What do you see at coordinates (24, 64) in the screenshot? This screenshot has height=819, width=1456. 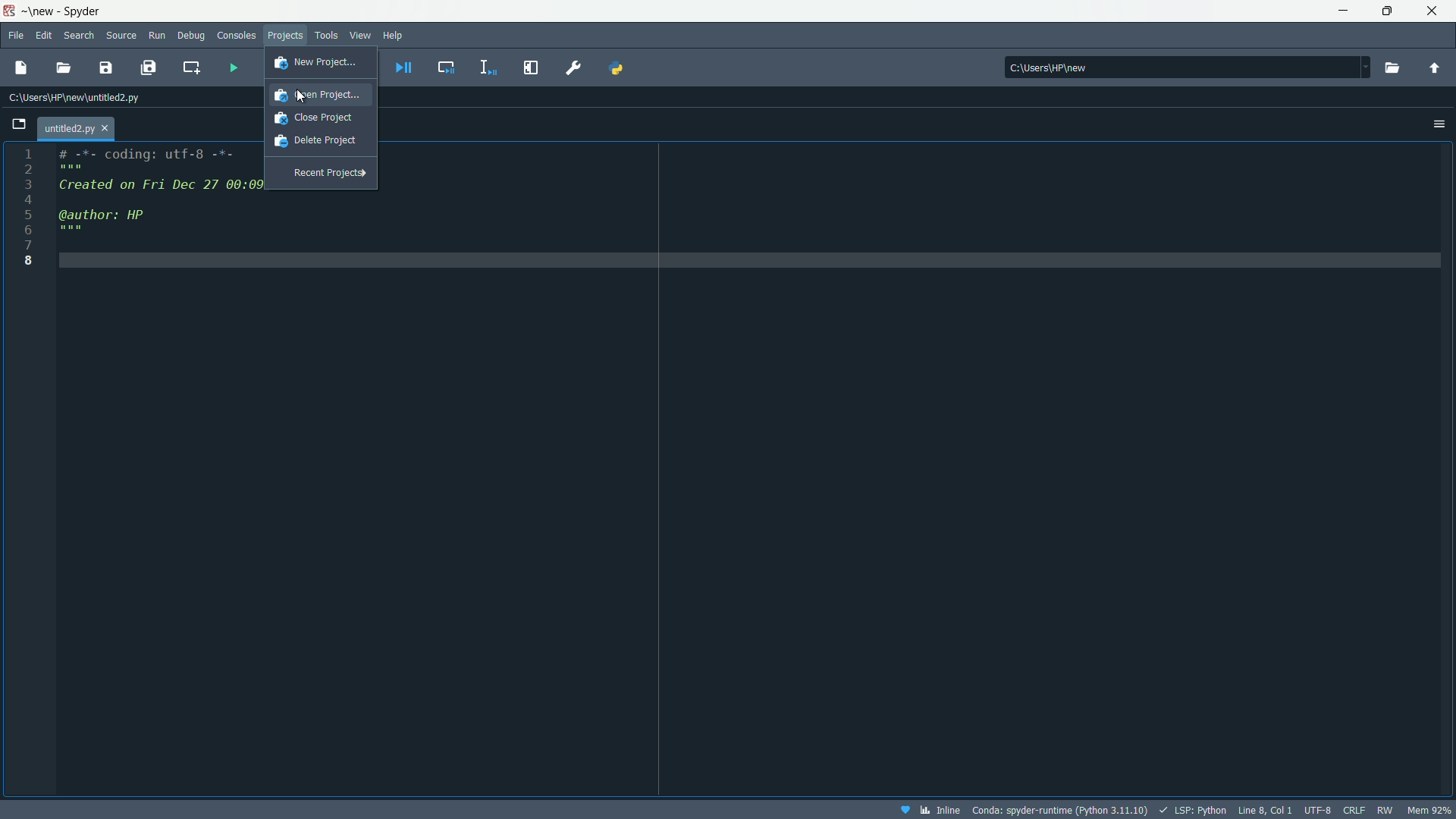 I see `New file (Ctrl + N)` at bounding box center [24, 64].